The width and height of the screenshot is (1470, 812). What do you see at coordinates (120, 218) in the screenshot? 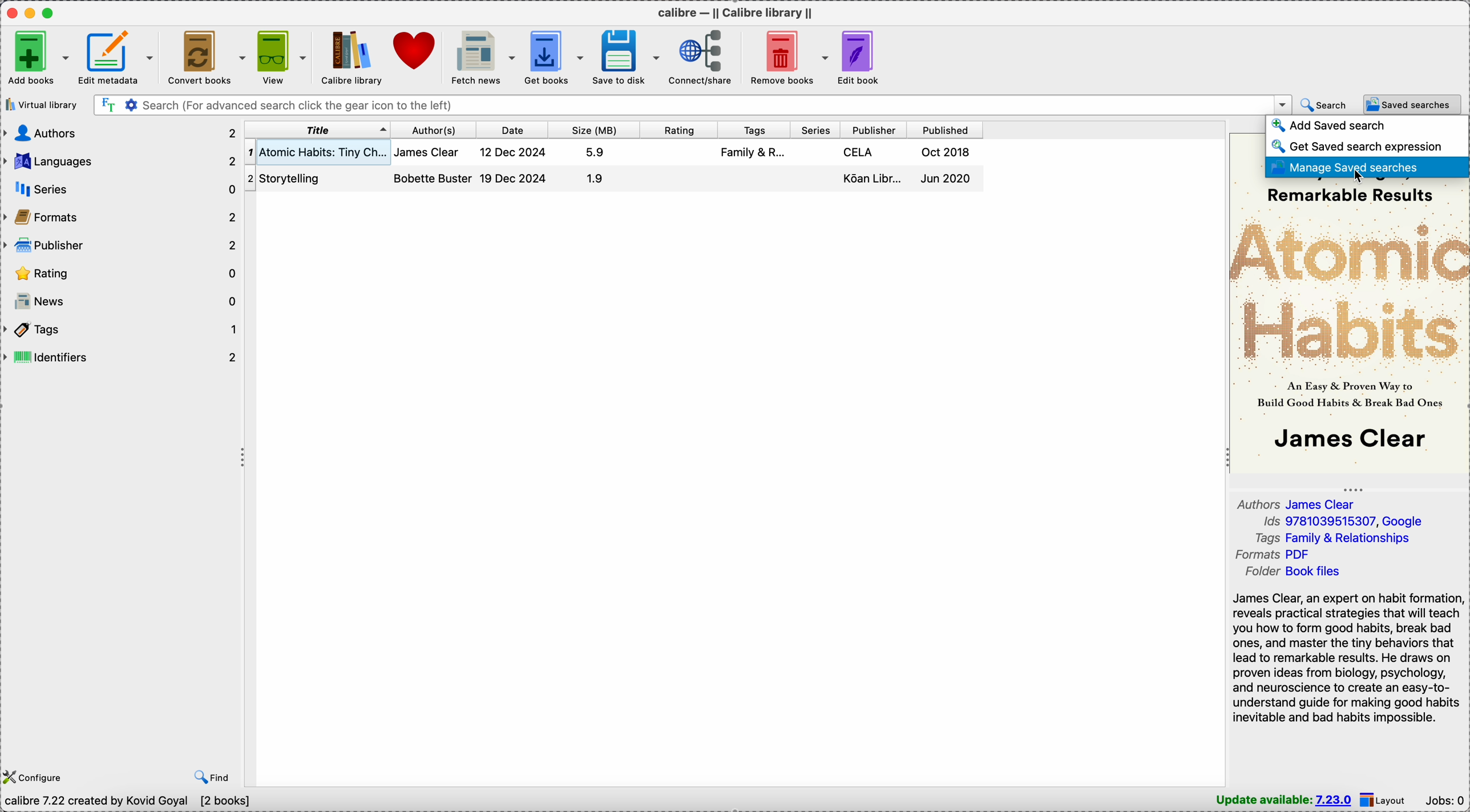
I see `formats` at bounding box center [120, 218].